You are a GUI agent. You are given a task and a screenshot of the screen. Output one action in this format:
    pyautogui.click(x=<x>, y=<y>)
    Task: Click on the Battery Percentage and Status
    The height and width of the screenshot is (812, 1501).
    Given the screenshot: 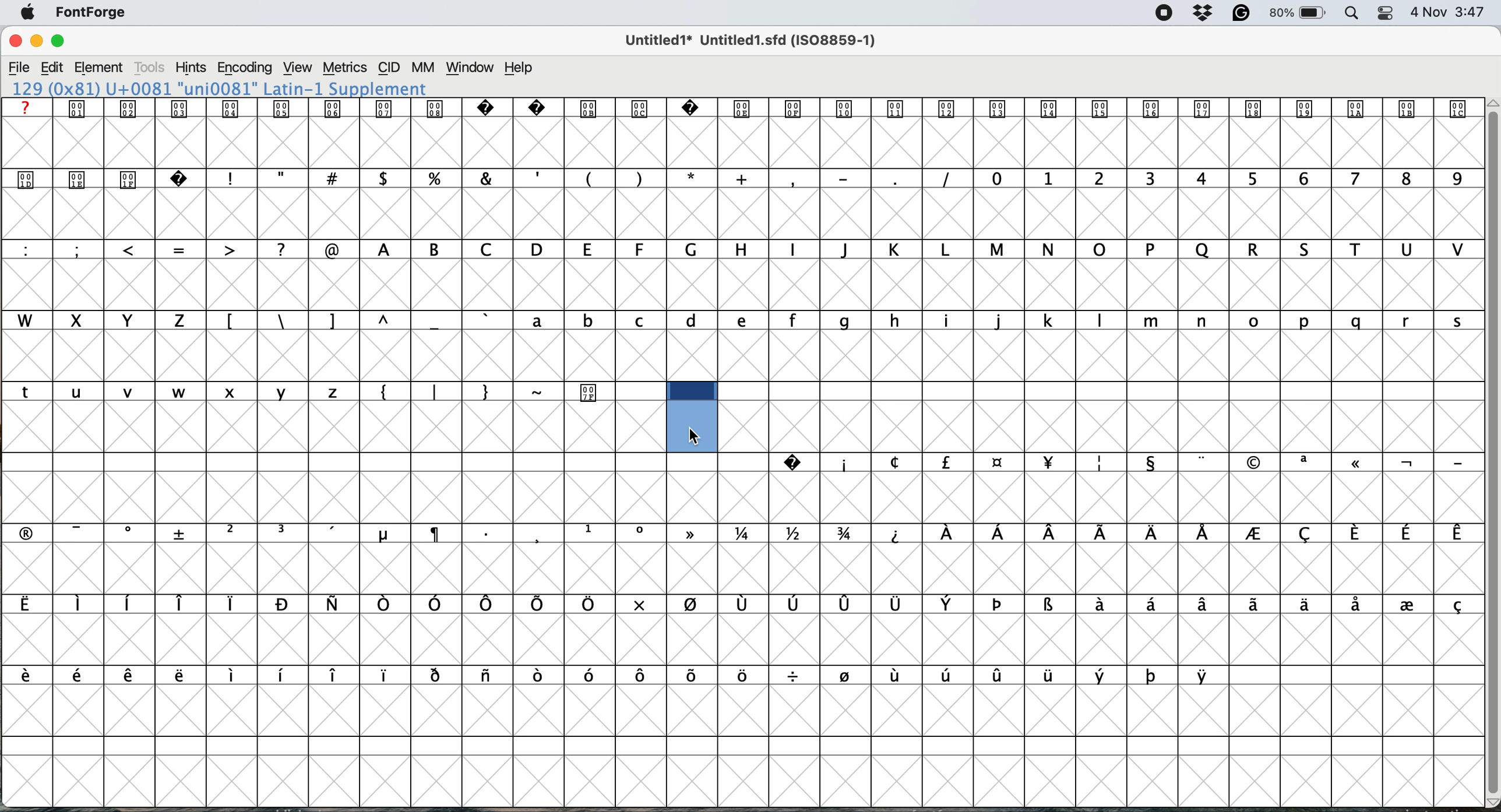 What is the action you would take?
    pyautogui.click(x=1295, y=13)
    